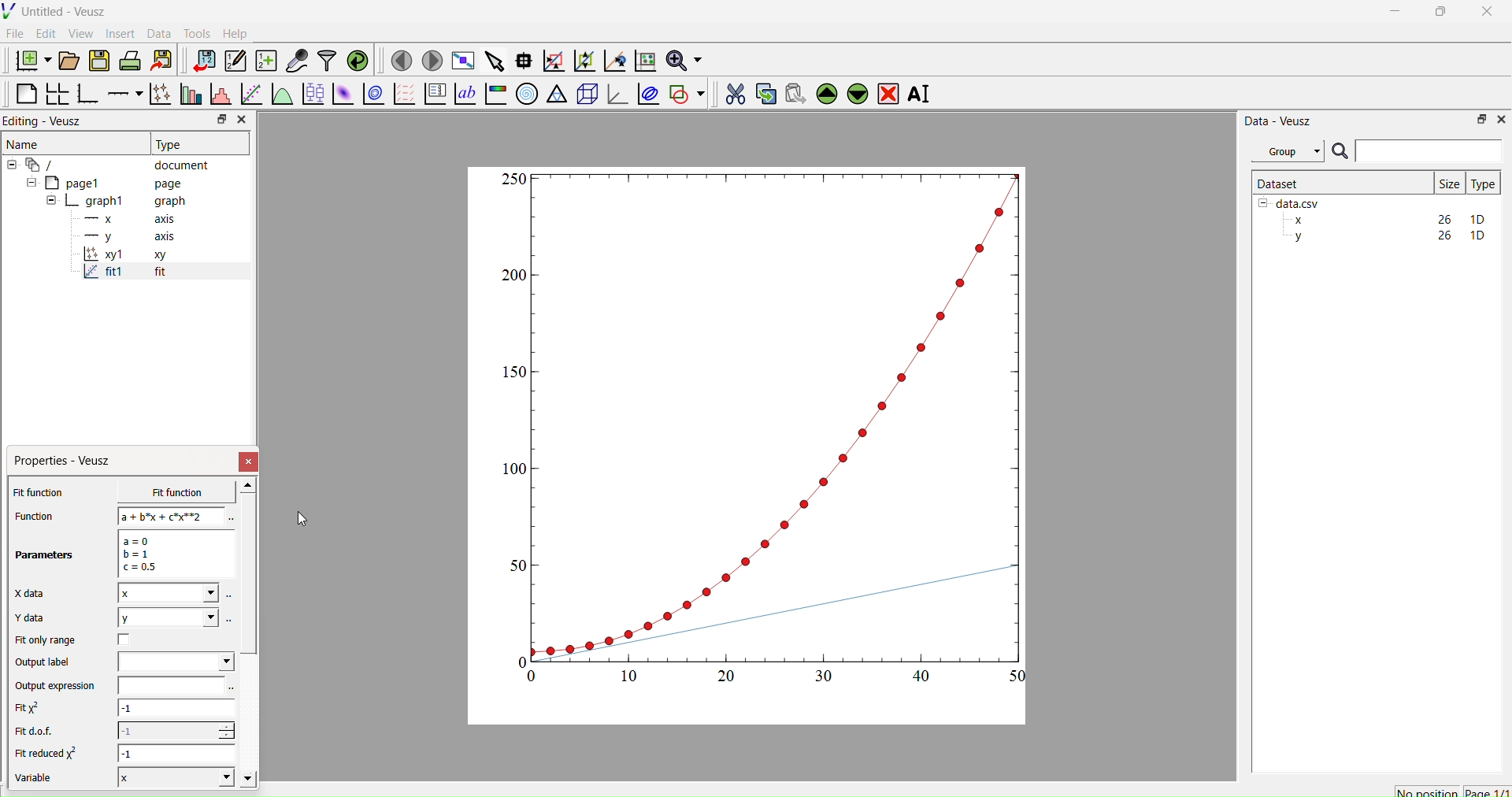 Image resolution: width=1512 pixels, height=797 pixels. I want to click on Read data points, so click(522, 58).